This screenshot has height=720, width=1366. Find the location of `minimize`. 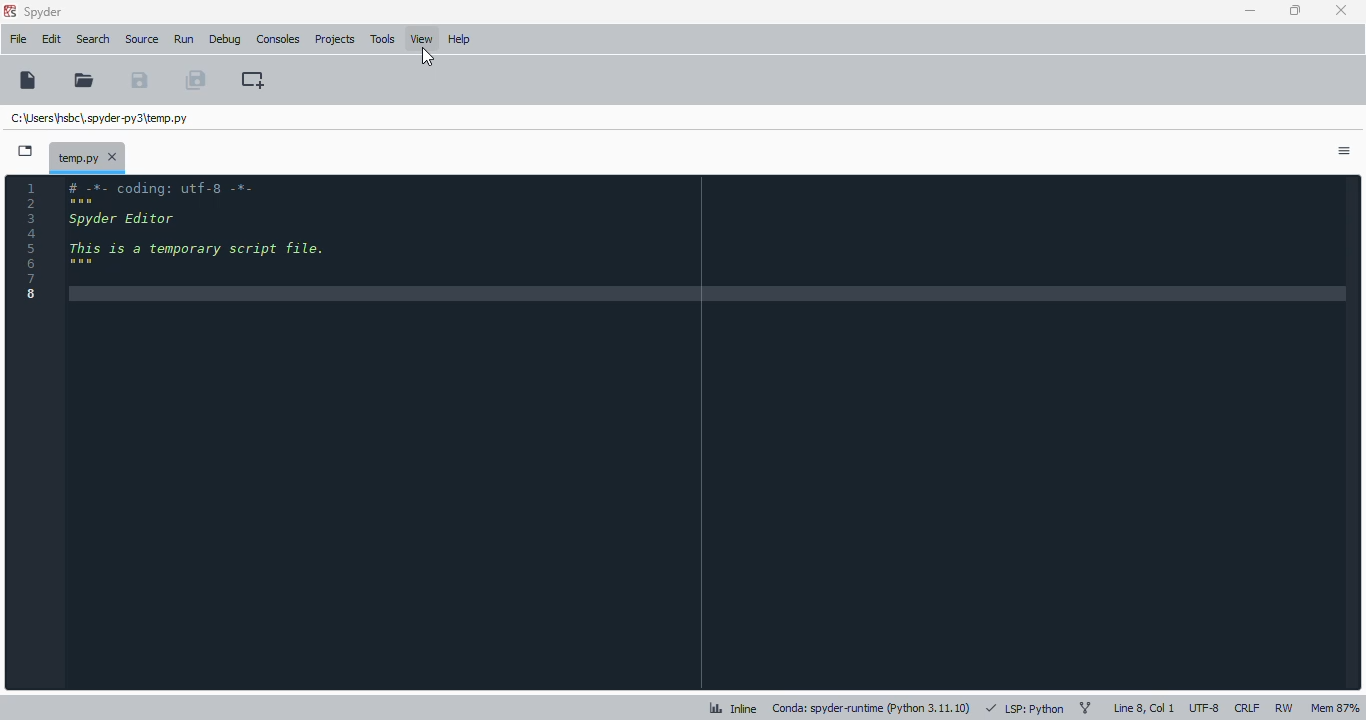

minimize is located at coordinates (1251, 11).